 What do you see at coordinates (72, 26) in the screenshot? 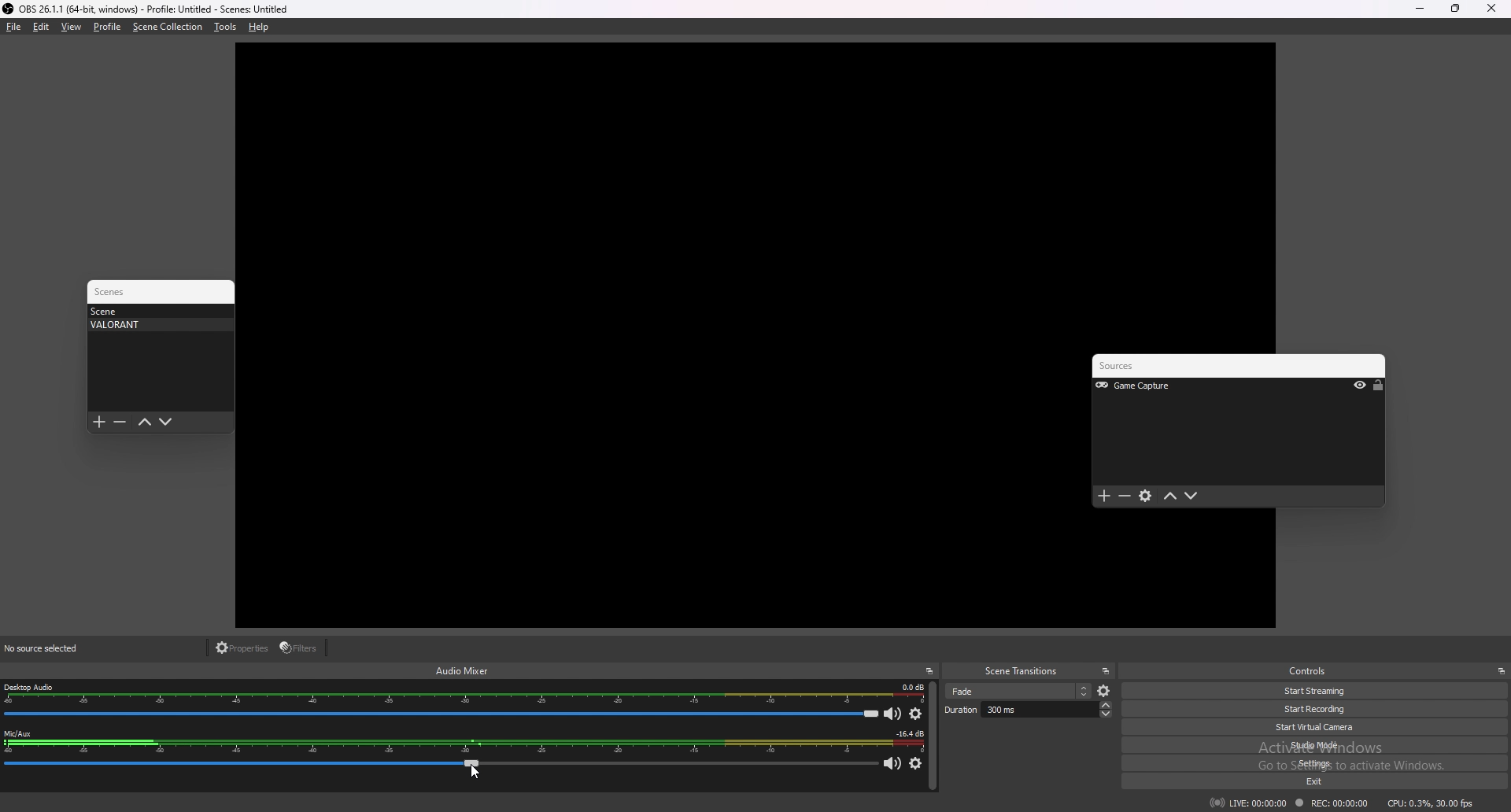
I see `view` at bounding box center [72, 26].